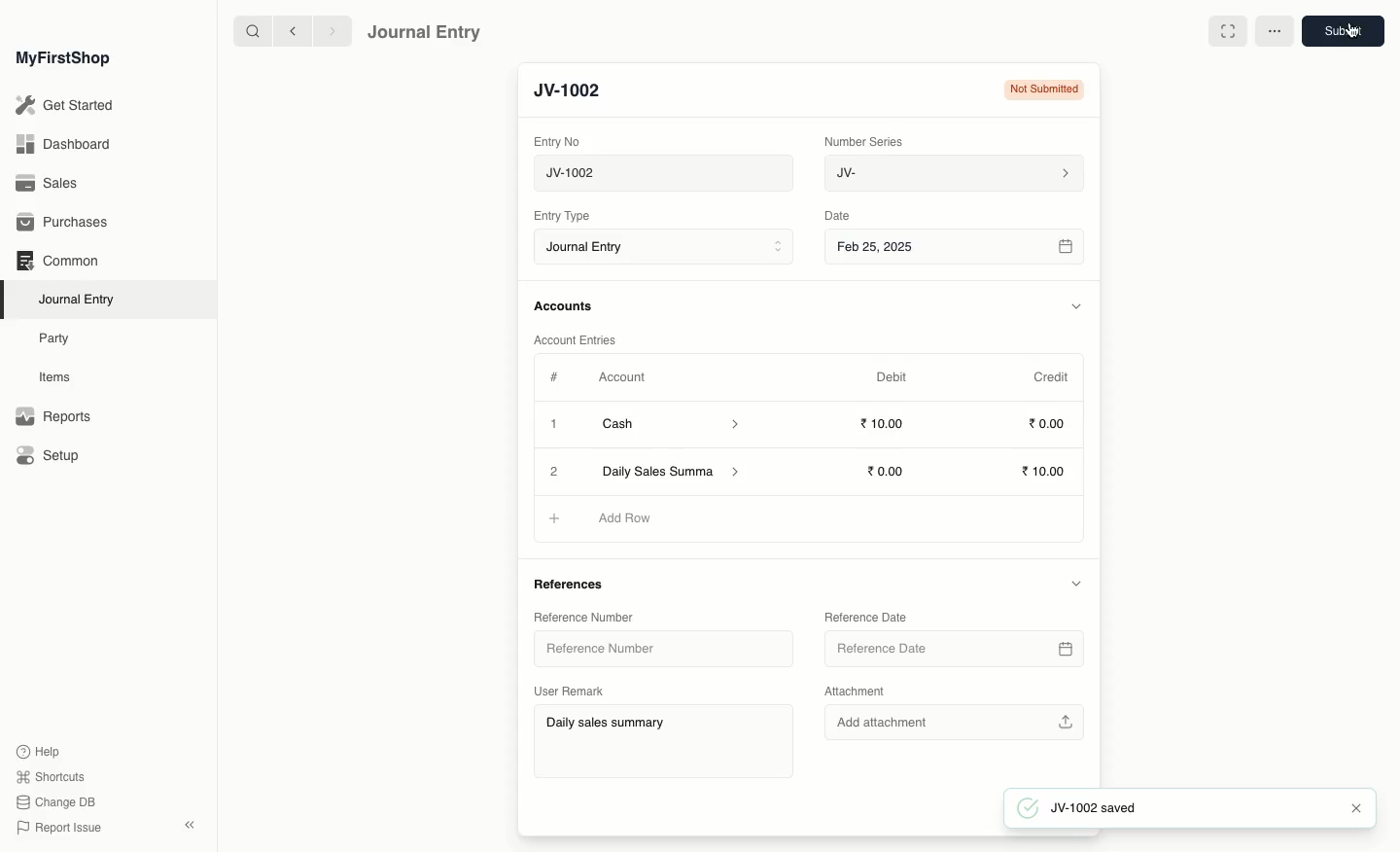 The height and width of the screenshot is (852, 1400). What do you see at coordinates (1050, 375) in the screenshot?
I see `Credit` at bounding box center [1050, 375].